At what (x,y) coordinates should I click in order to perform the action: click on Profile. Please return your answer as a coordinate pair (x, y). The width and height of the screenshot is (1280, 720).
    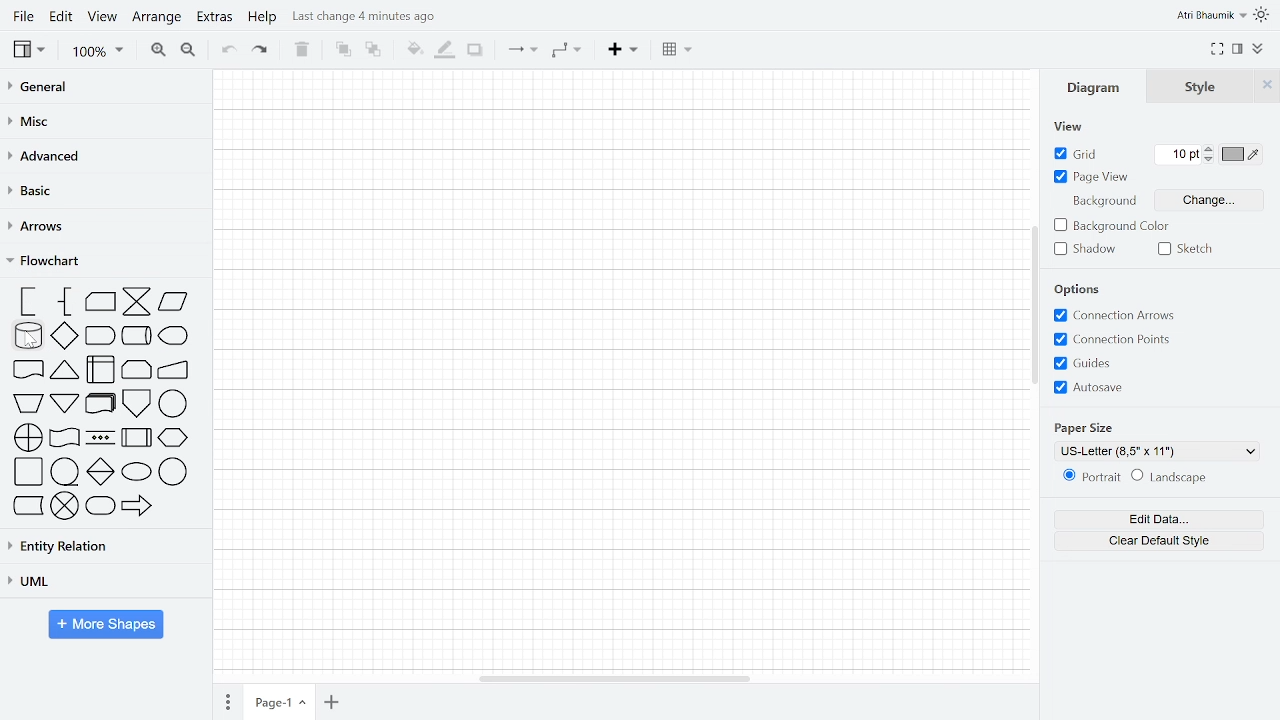
    Looking at the image, I should click on (1210, 15).